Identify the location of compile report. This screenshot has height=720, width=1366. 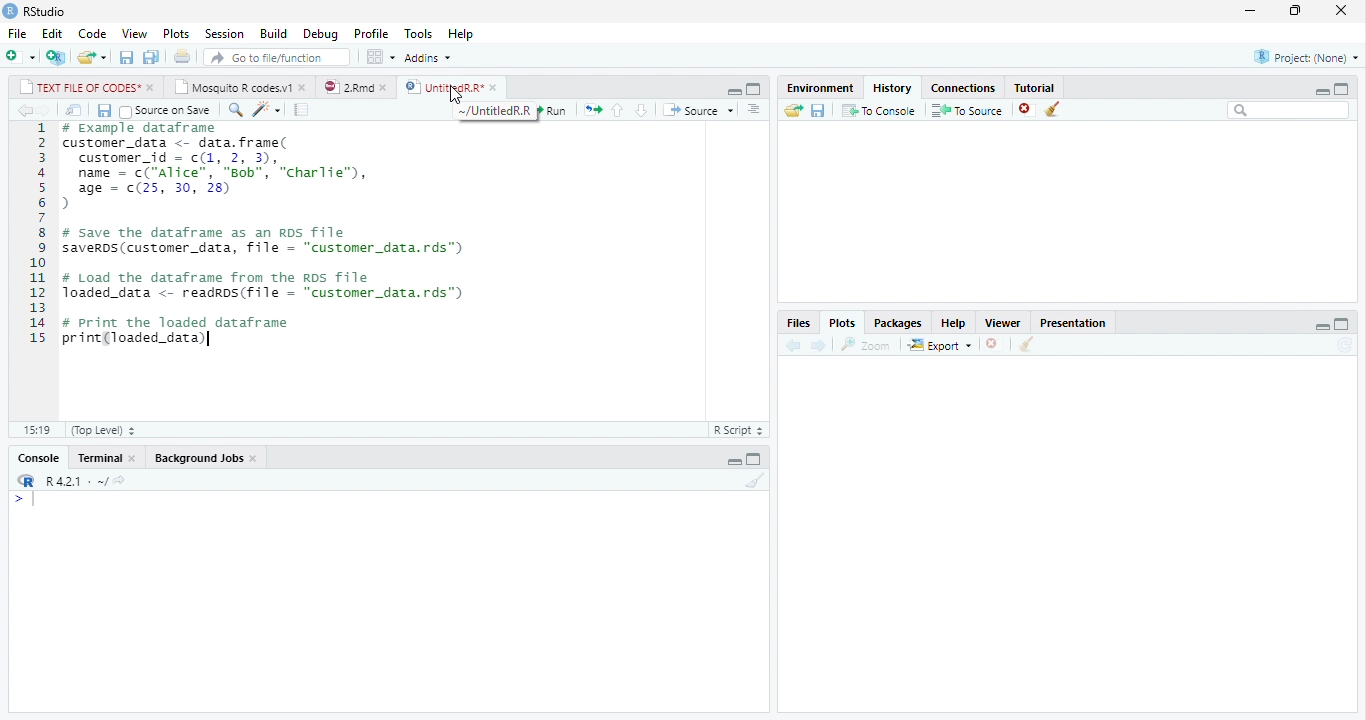
(301, 110).